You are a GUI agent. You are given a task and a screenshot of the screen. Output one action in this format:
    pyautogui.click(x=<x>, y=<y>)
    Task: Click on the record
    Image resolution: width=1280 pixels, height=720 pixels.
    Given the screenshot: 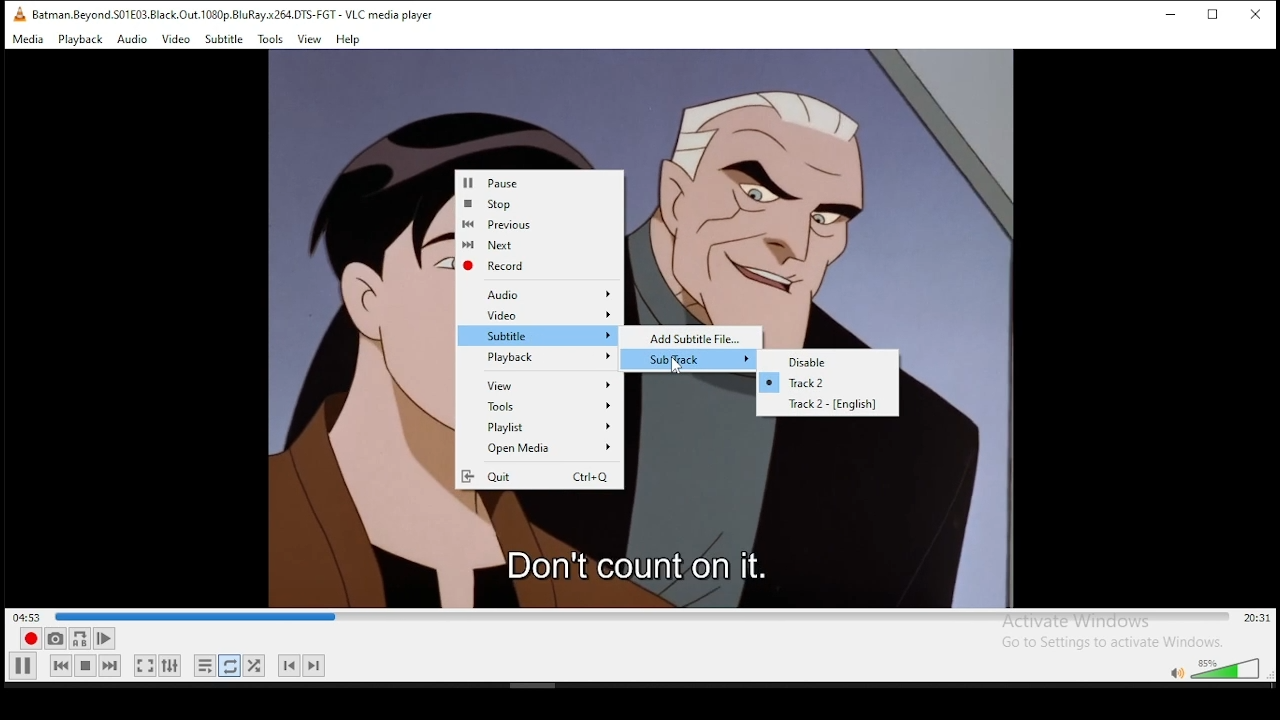 What is the action you would take?
    pyautogui.click(x=30, y=639)
    